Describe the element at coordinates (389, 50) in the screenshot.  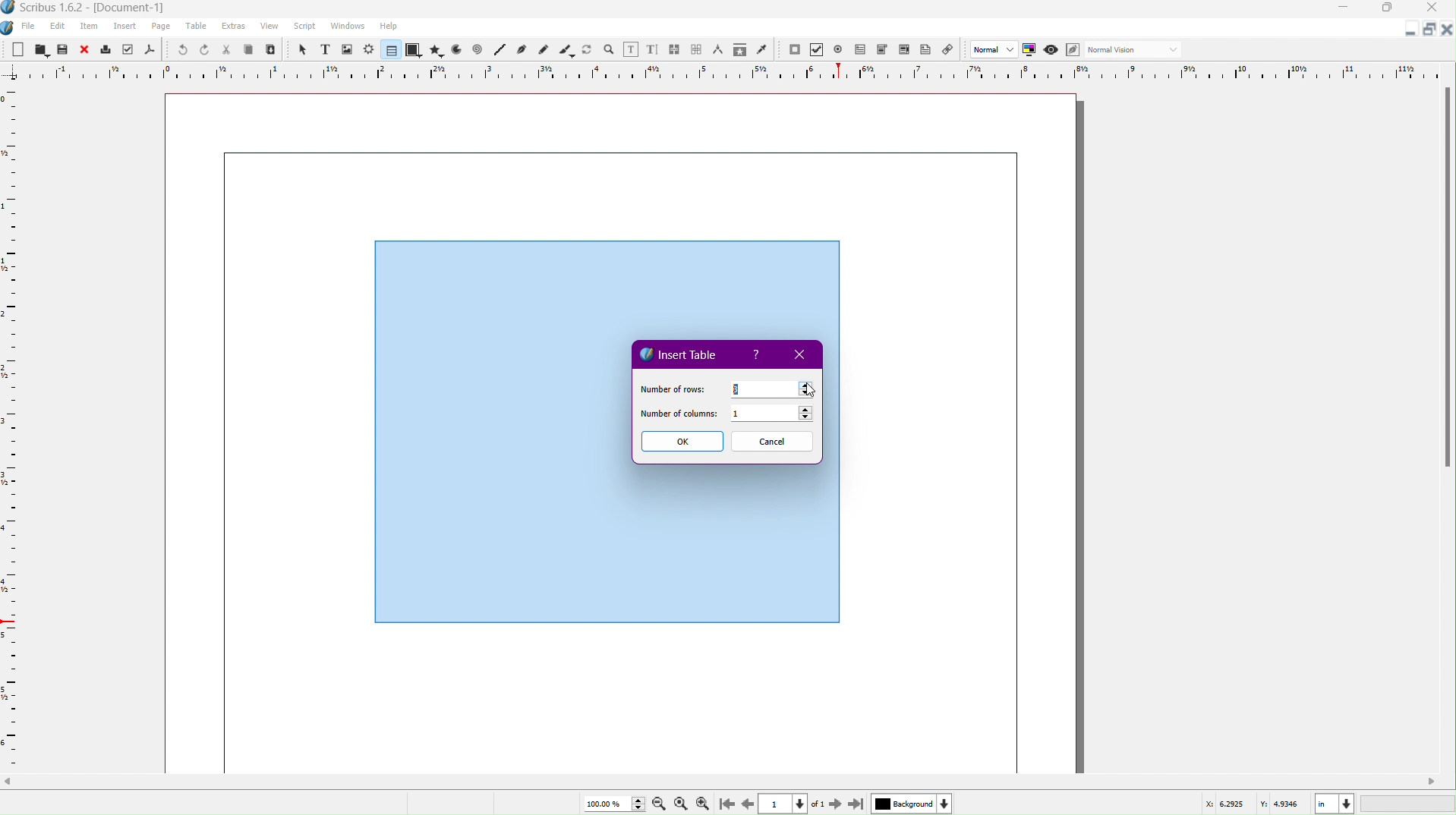
I see `Table` at that location.